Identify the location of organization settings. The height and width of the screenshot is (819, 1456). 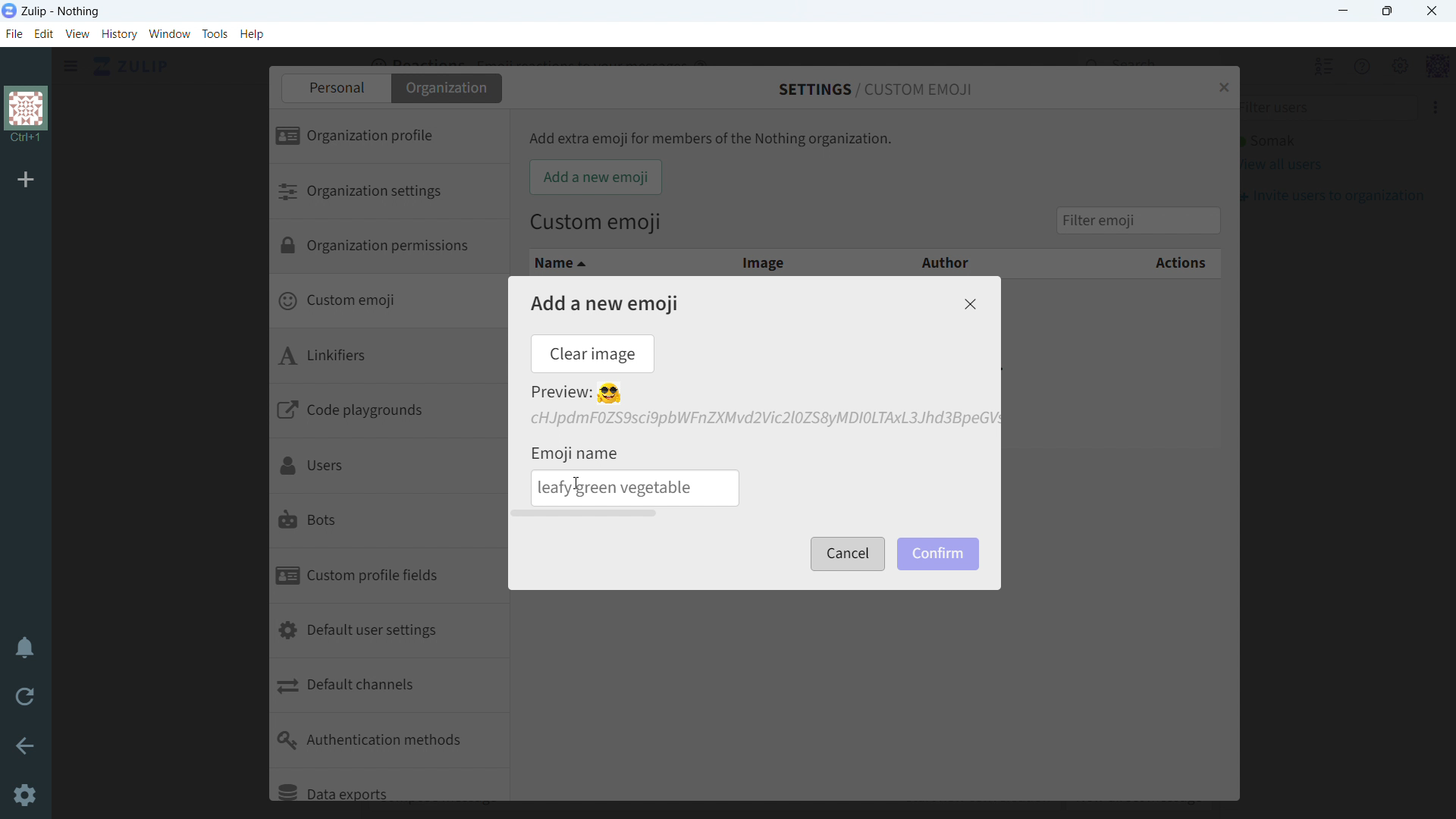
(387, 192).